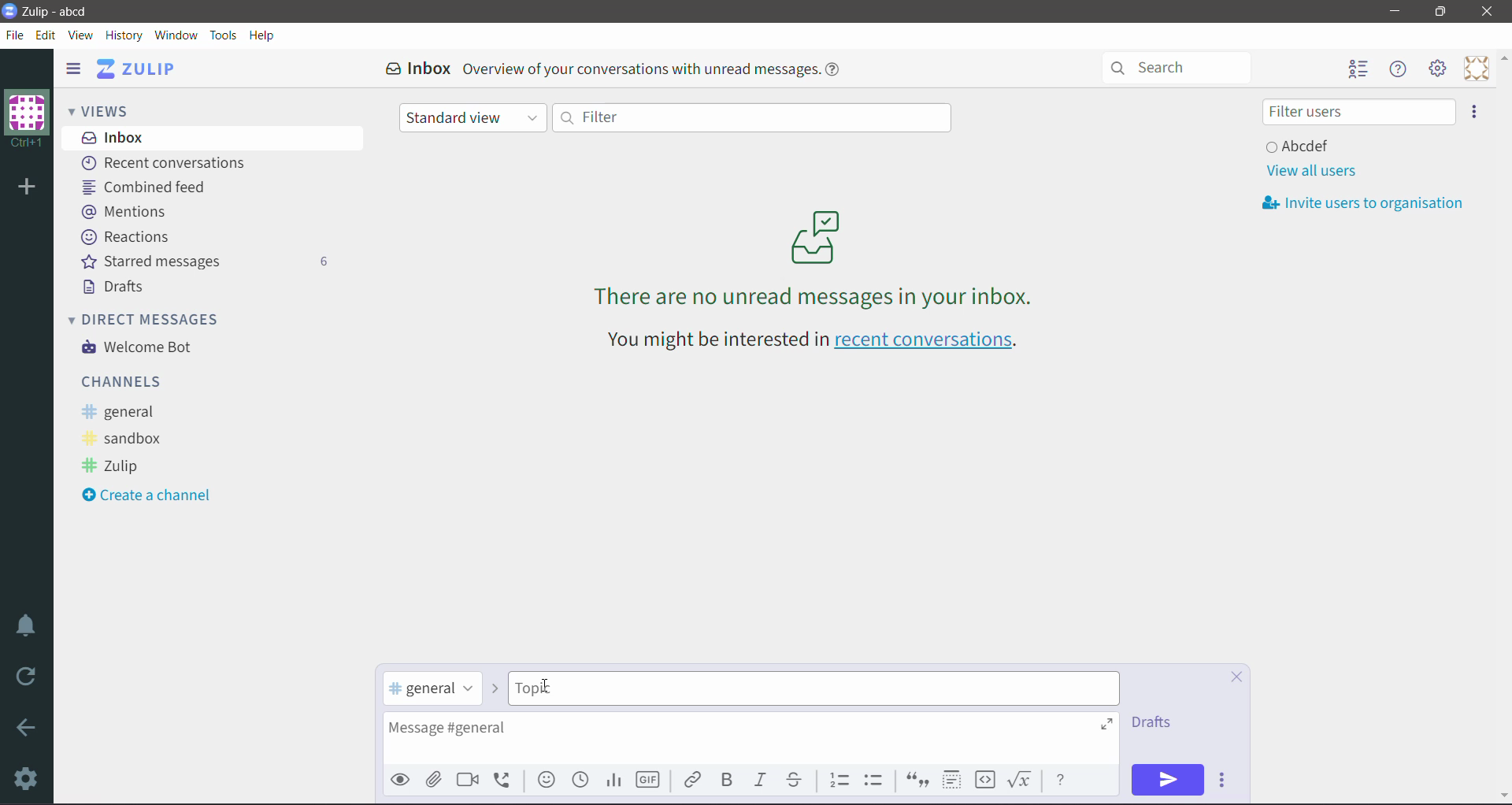 The image size is (1512, 805). I want to click on File, so click(15, 35).